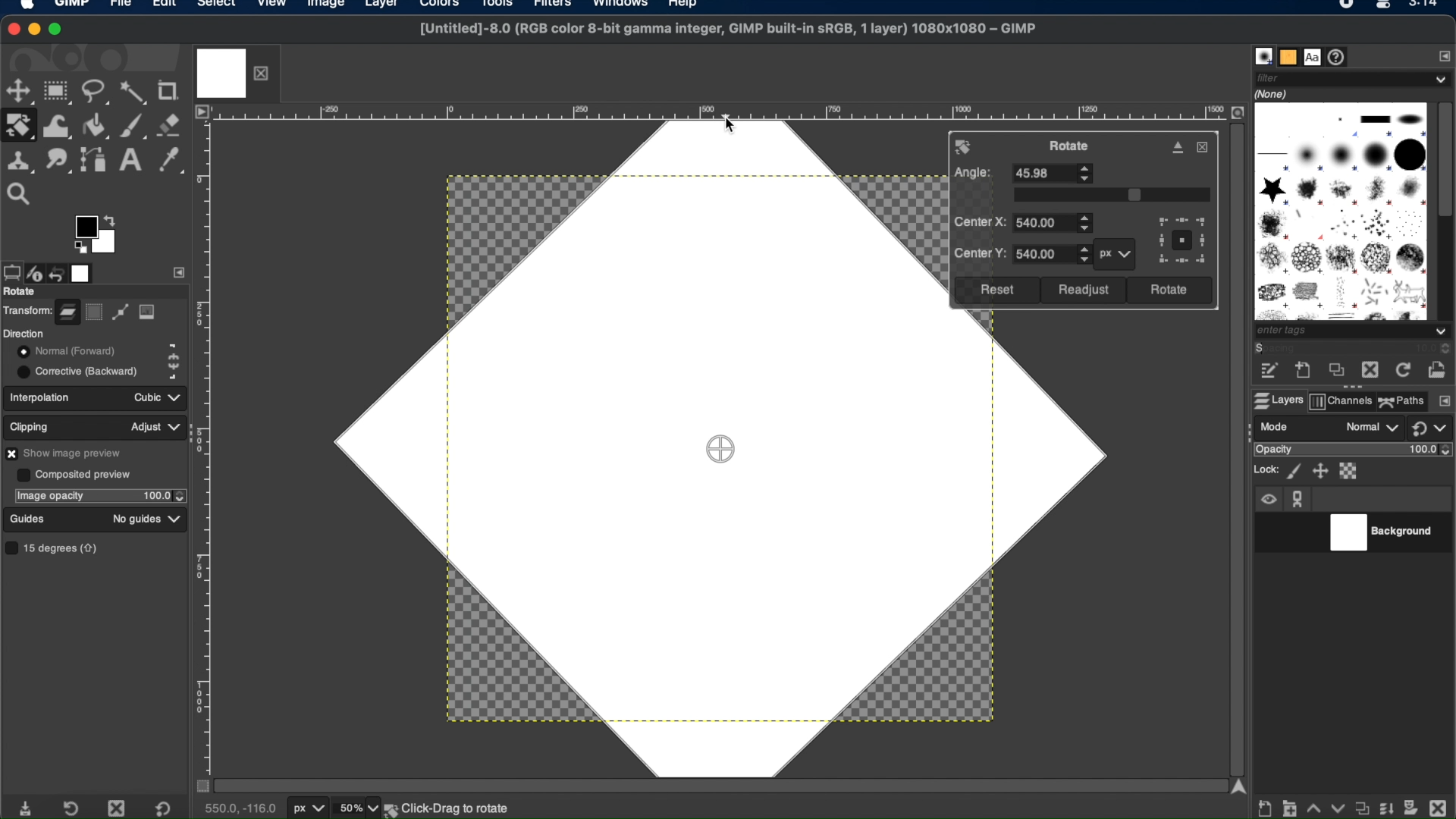 The width and height of the screenshot is (1456, 819). I want to click on layers, so click(1276, 400).